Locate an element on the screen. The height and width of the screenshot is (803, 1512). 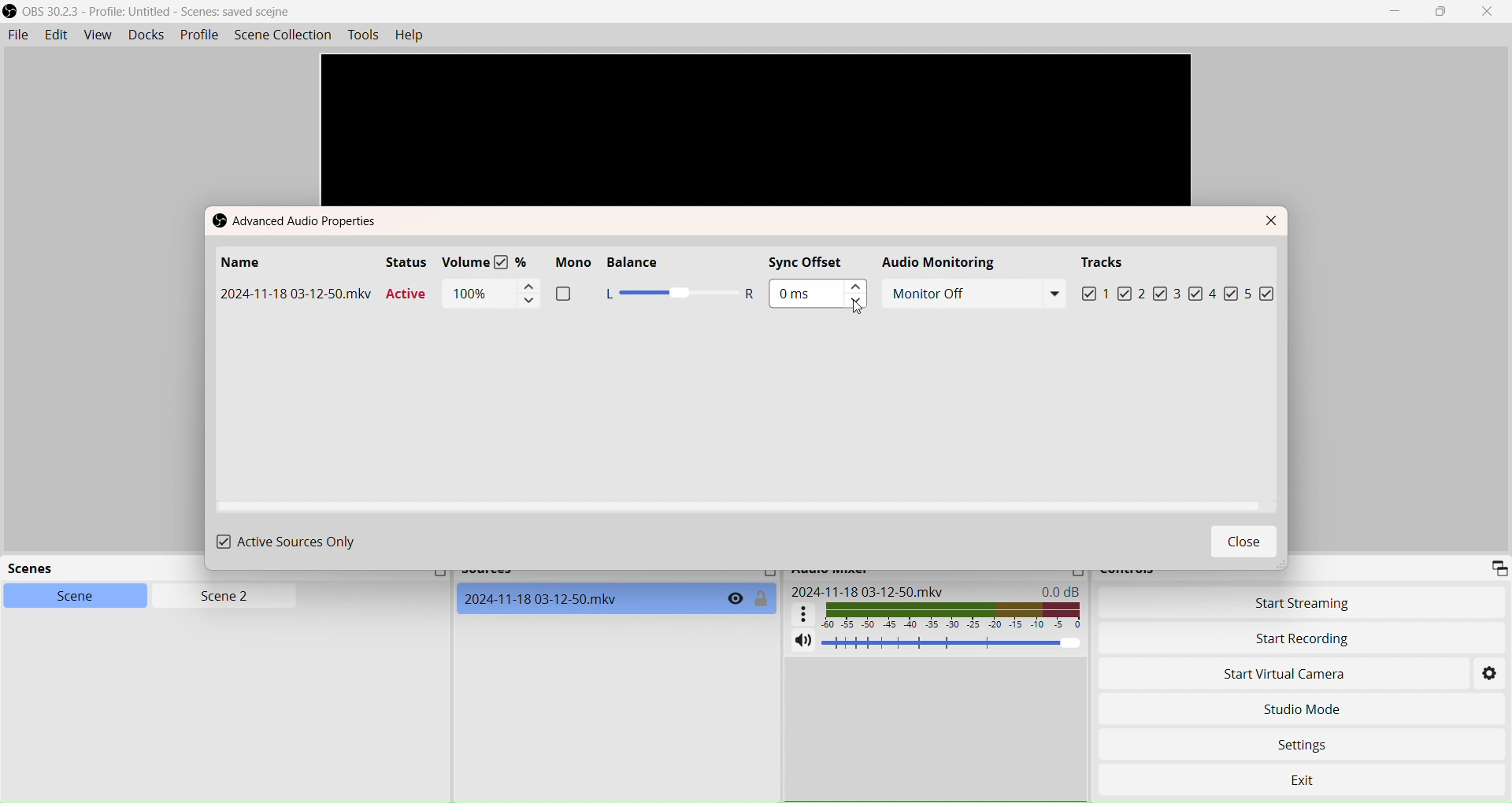
Minimize is located at coordinates (1399, 12).